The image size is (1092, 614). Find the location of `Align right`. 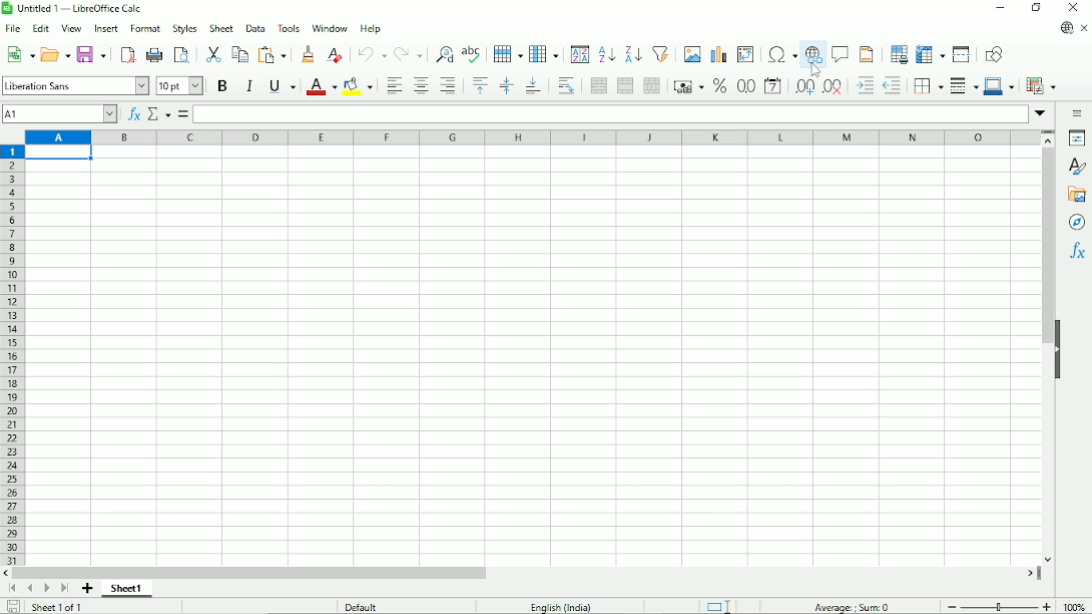

Align right is located at coordinates (447, 85).